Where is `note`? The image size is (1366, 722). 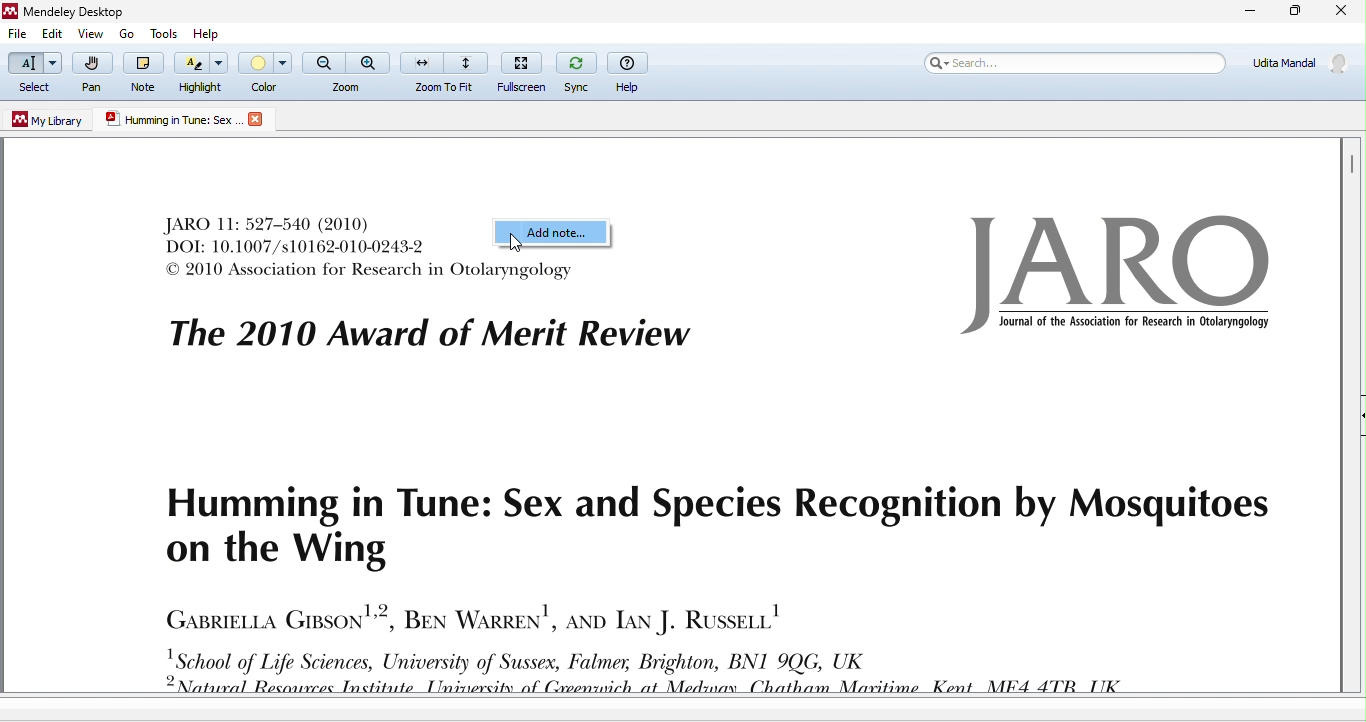
note is located at coordinates (145, 72).